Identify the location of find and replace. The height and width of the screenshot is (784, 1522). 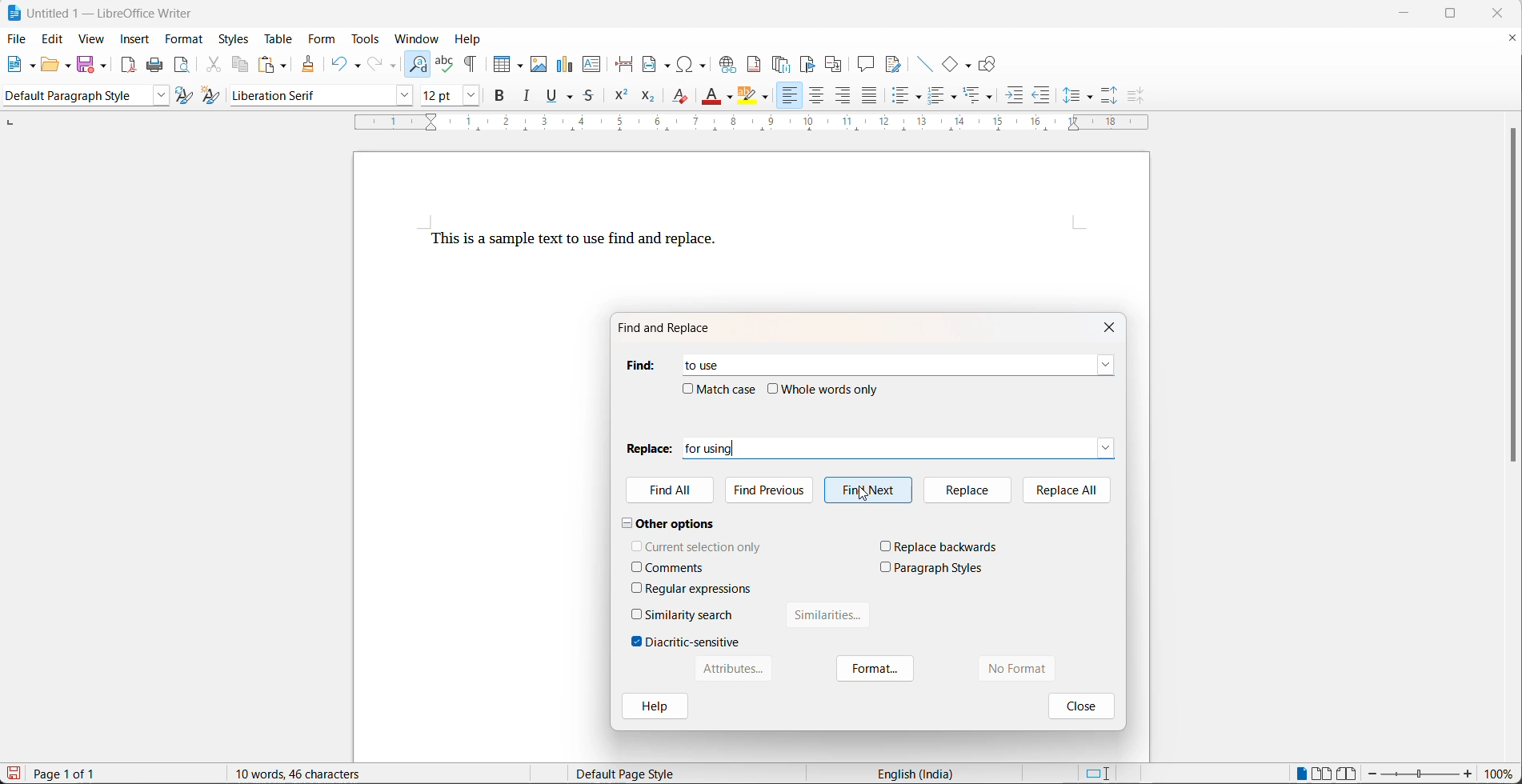
(419, 62).